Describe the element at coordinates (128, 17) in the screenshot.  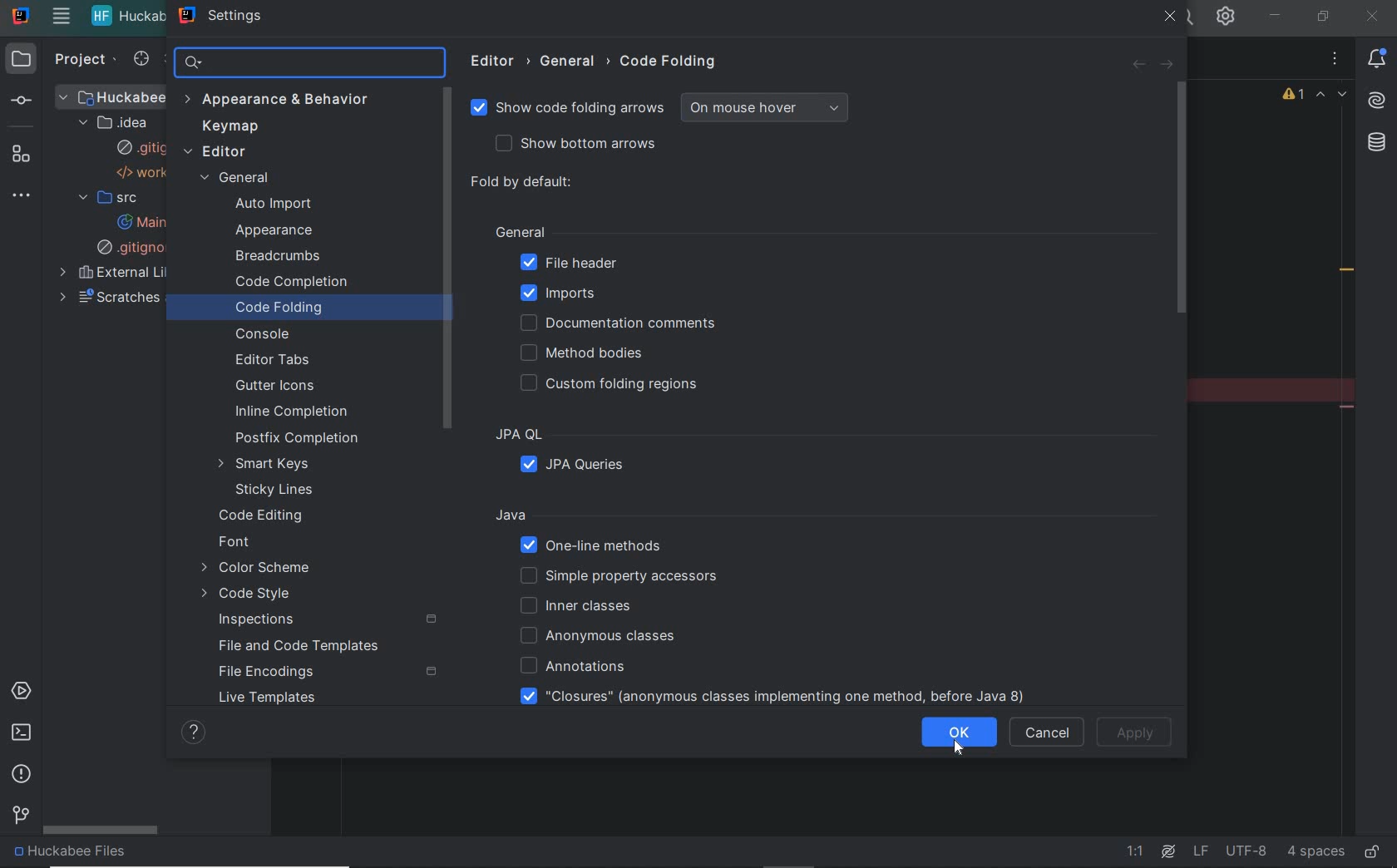
I see `project file name` at that location.